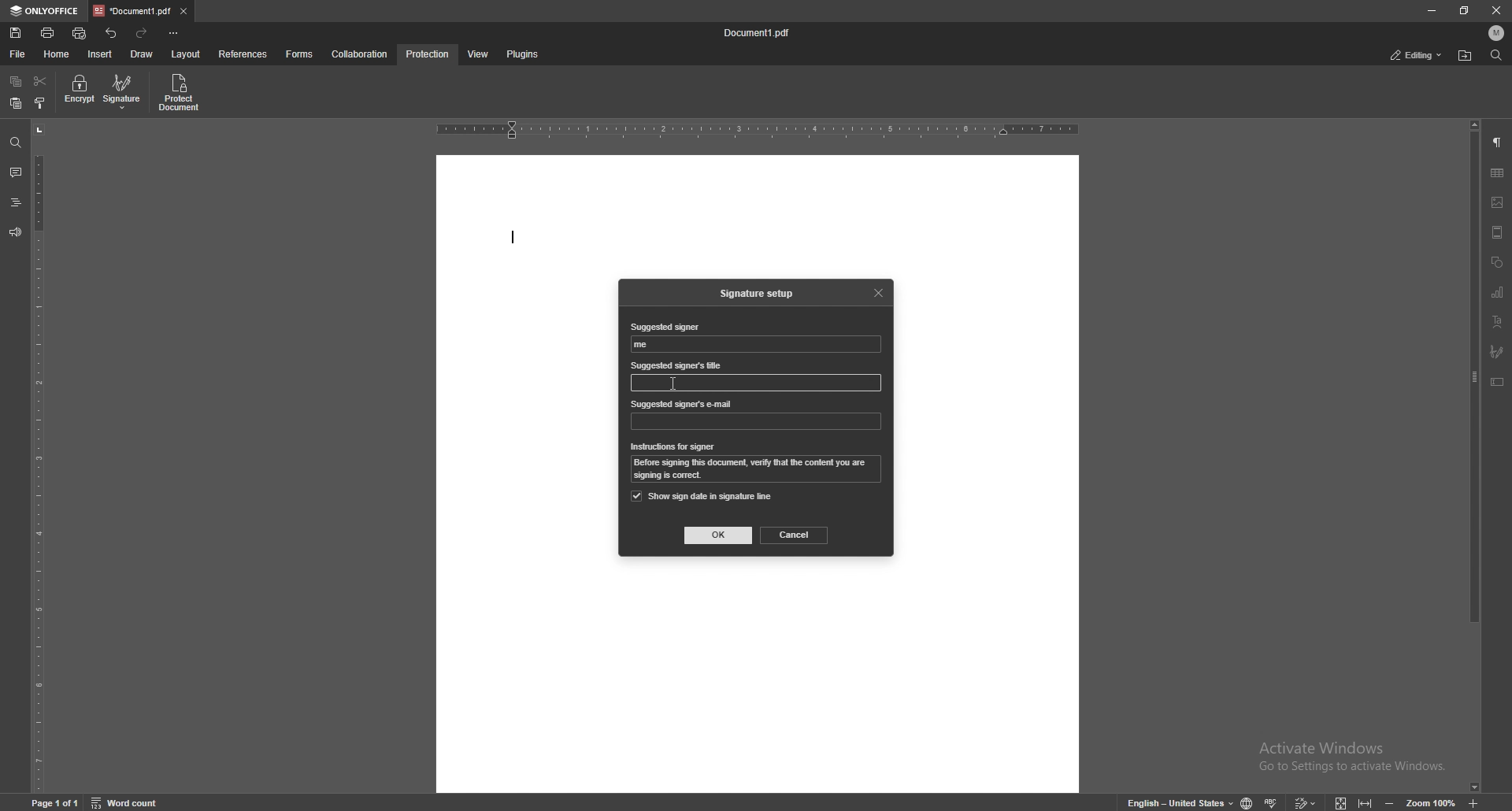  I want to click on shapes, so click(1496, 263).